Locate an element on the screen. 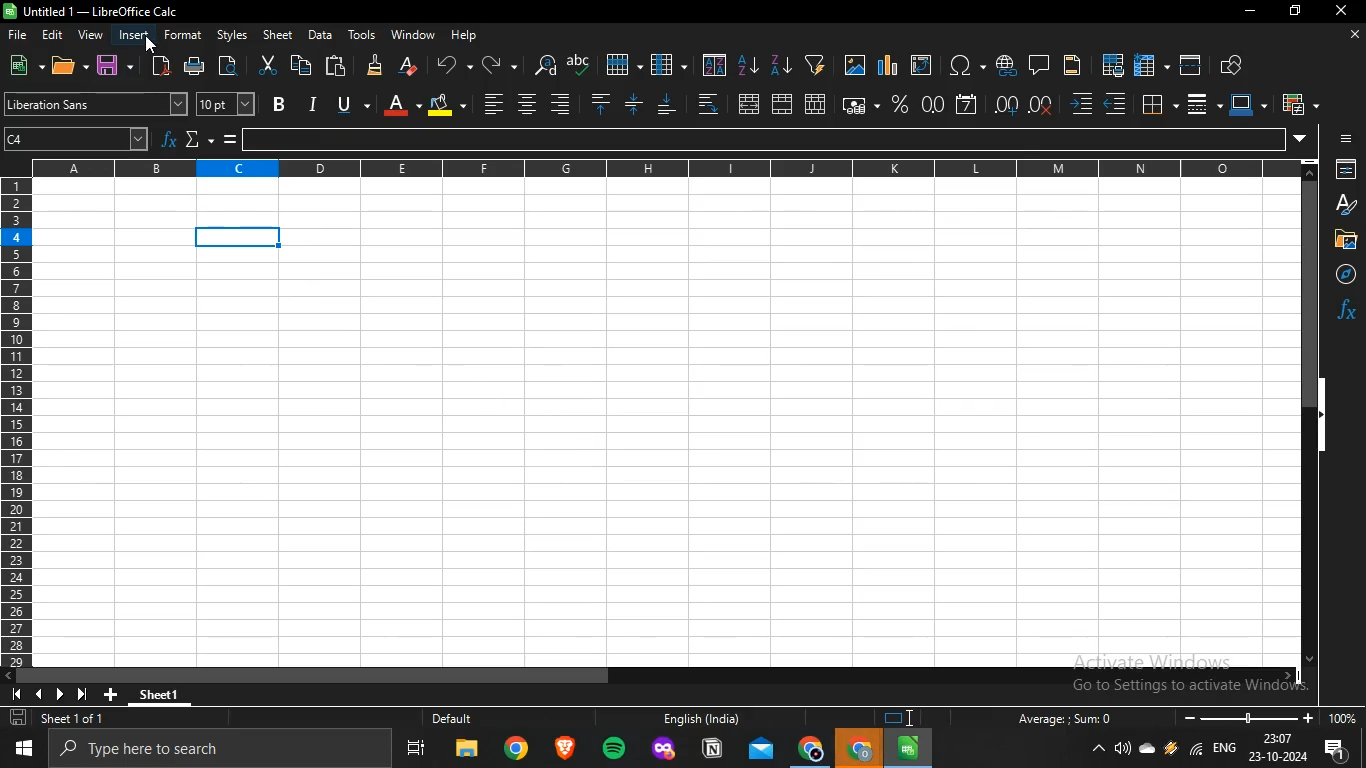 Image resolution: width=1366 pixels, height=768 pixels. define print area is located at coordinates (1113, 64).